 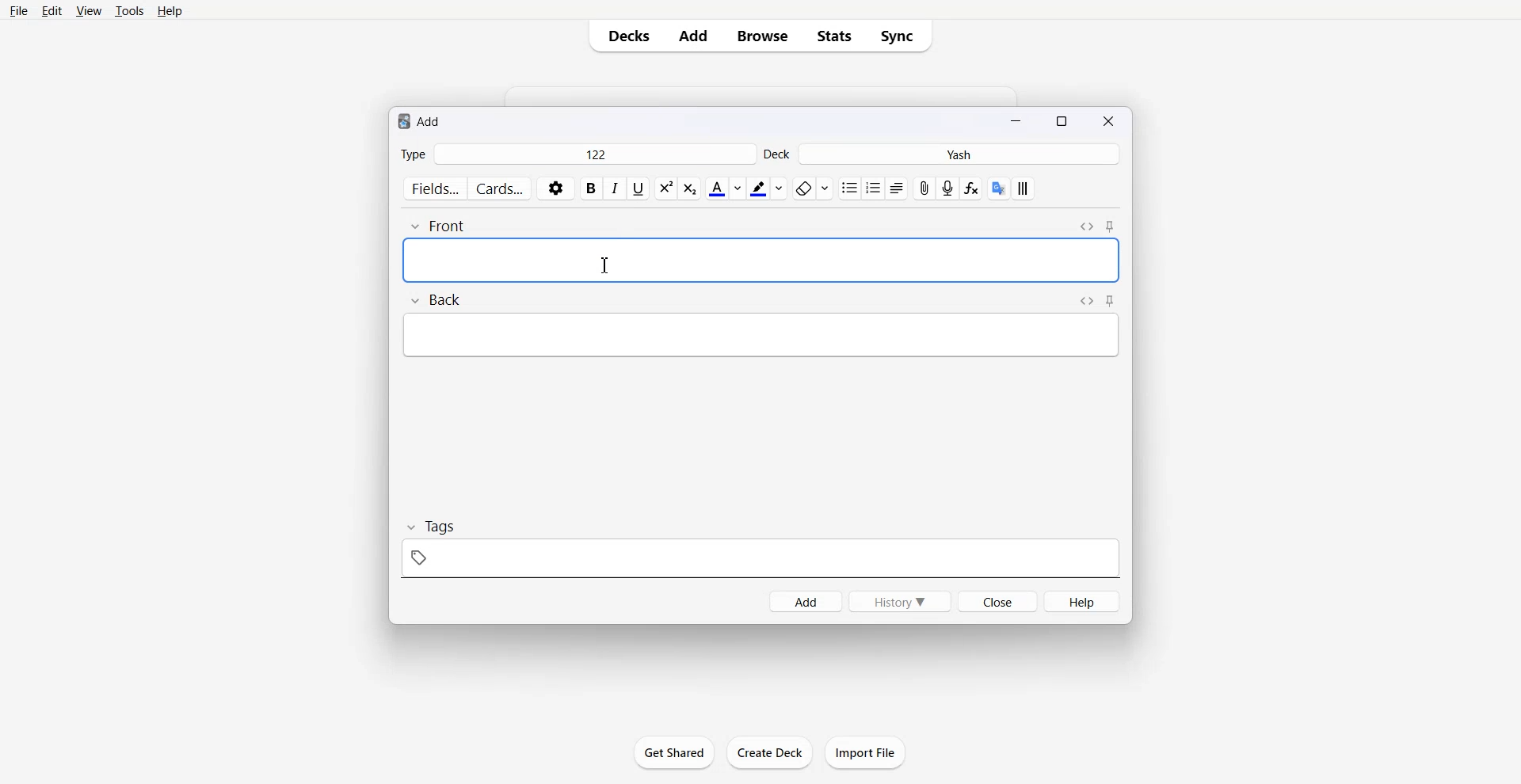 I want to click on Cards, so click(x=501, y=188).